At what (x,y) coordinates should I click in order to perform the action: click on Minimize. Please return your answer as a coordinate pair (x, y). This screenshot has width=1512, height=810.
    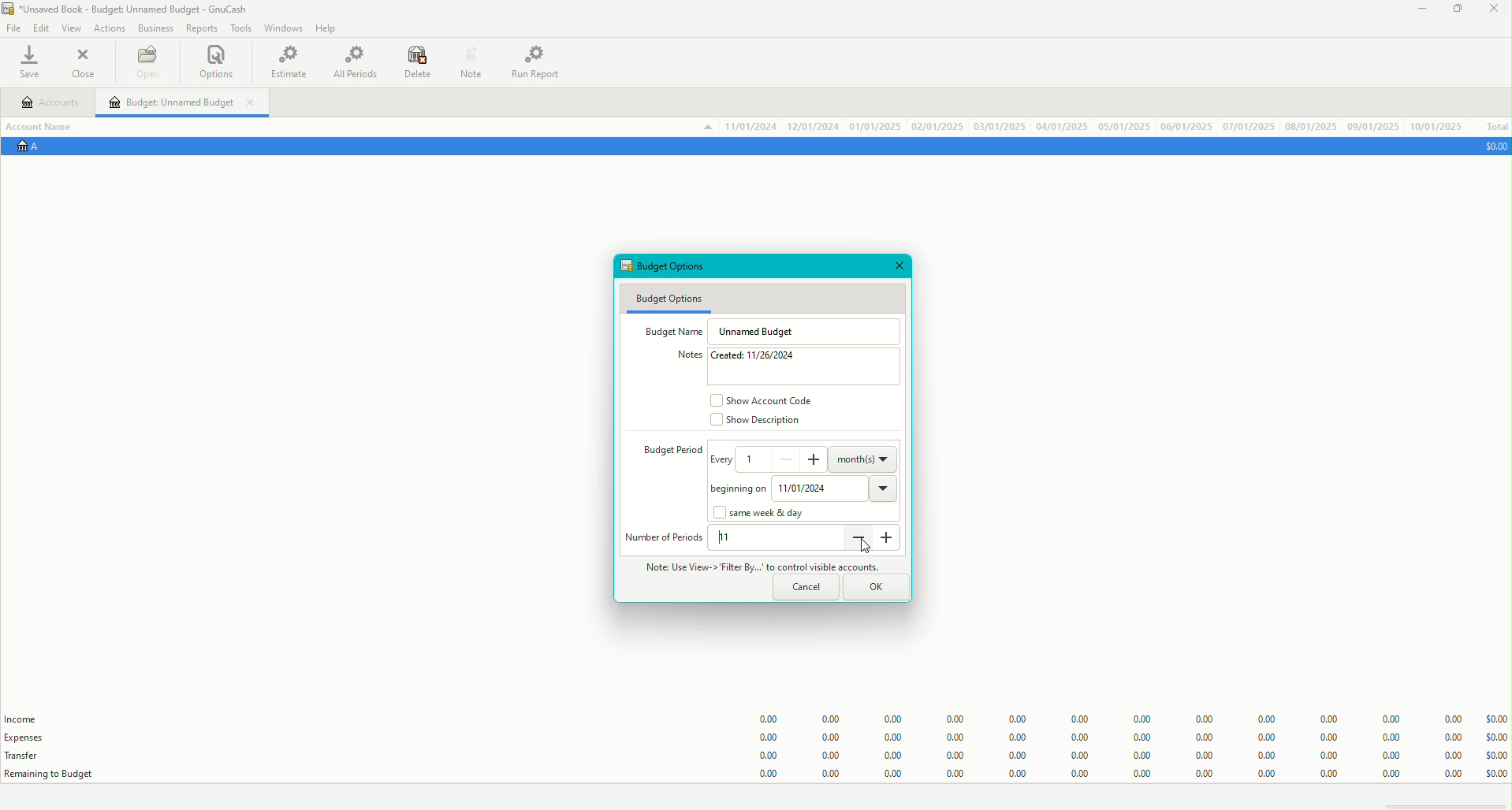
    Looking at the image, I should click on (1420, 12).